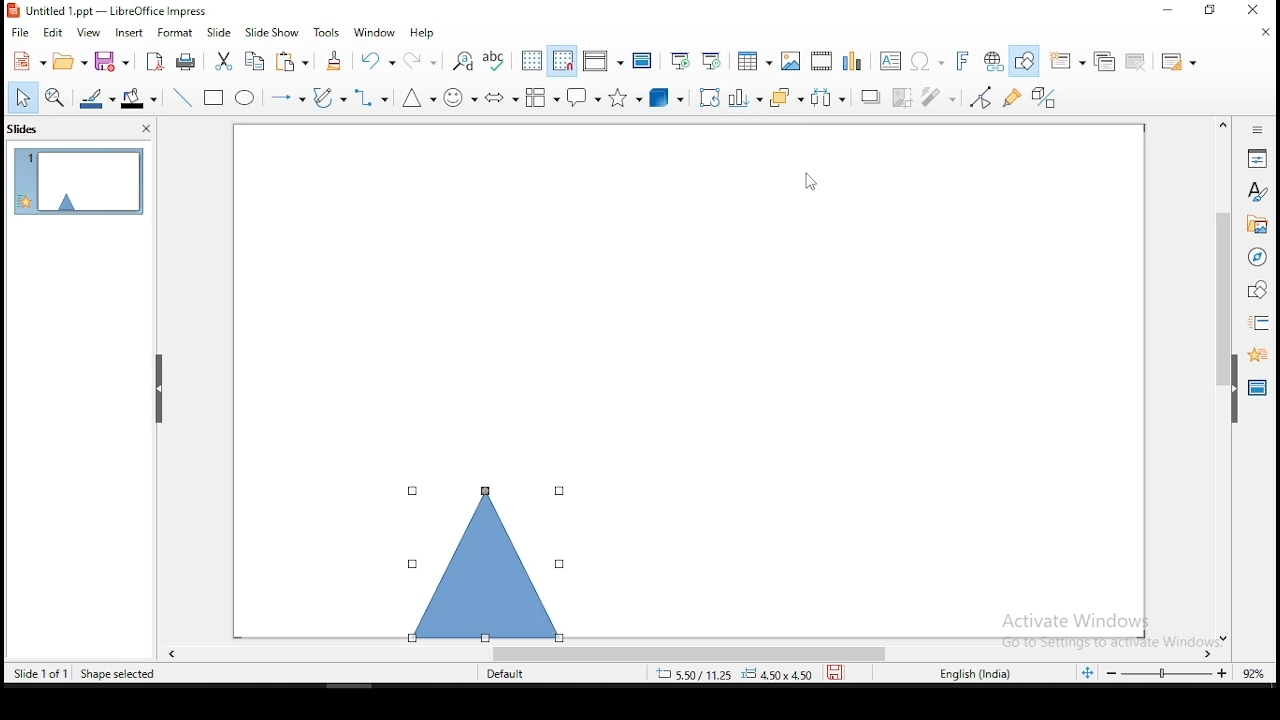 The height and width of the screenshot is (720, 1280). Describe the element at coordinates (483, 558) in the screenshot. I see `shape` at that location.